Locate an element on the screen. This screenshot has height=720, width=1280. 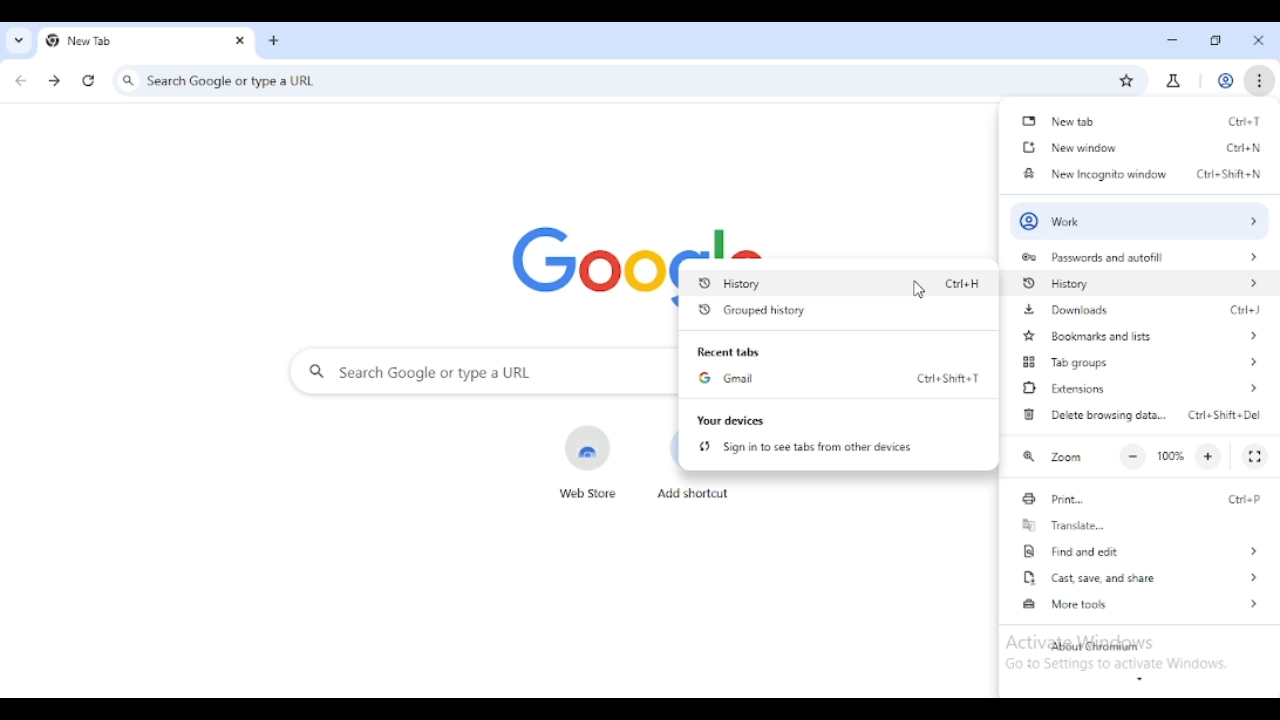
bookmarks and lists is located at coordinates (1139, 335).